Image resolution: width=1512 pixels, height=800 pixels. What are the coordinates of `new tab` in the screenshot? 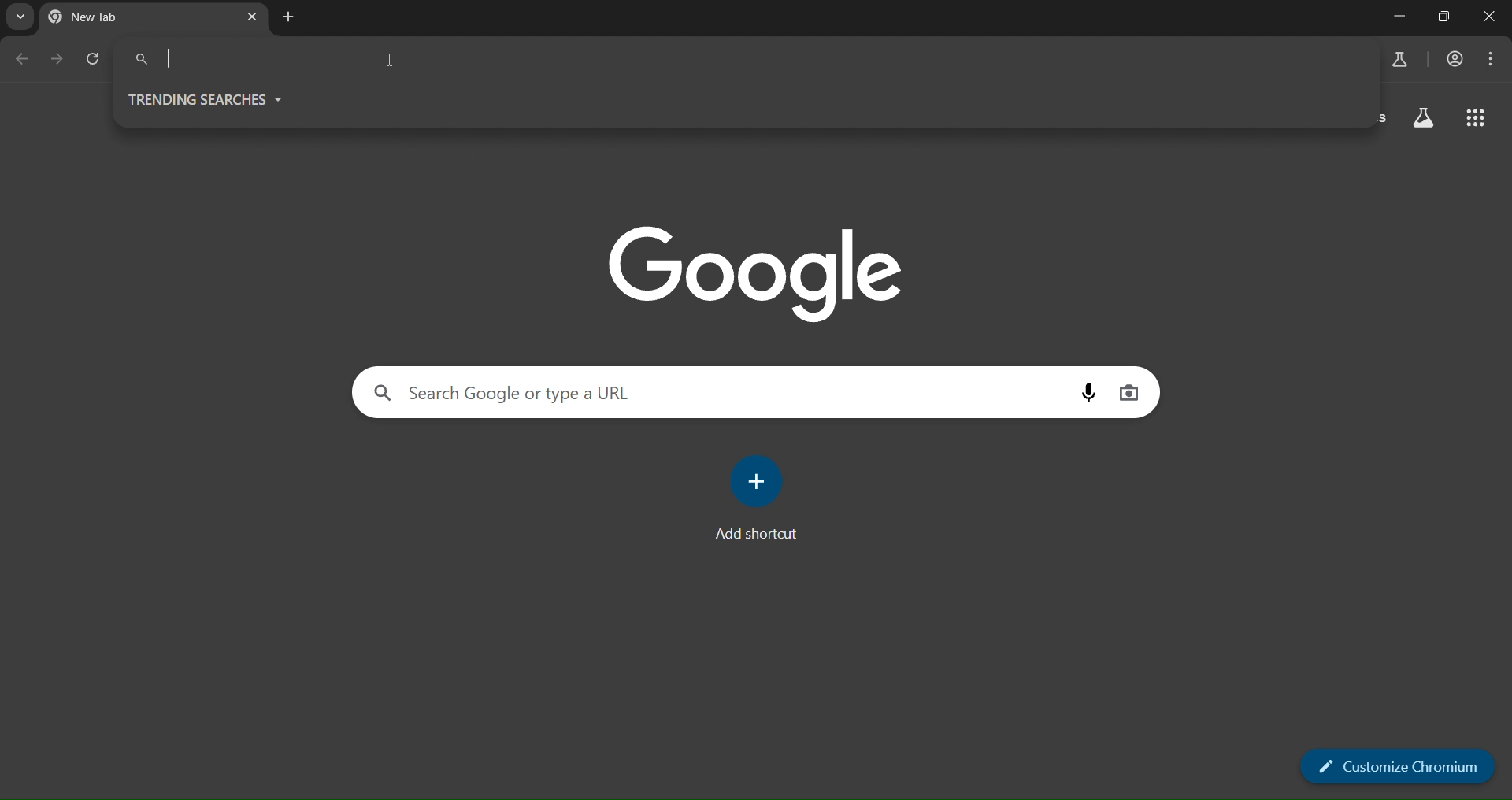 It's located at (289, 17).